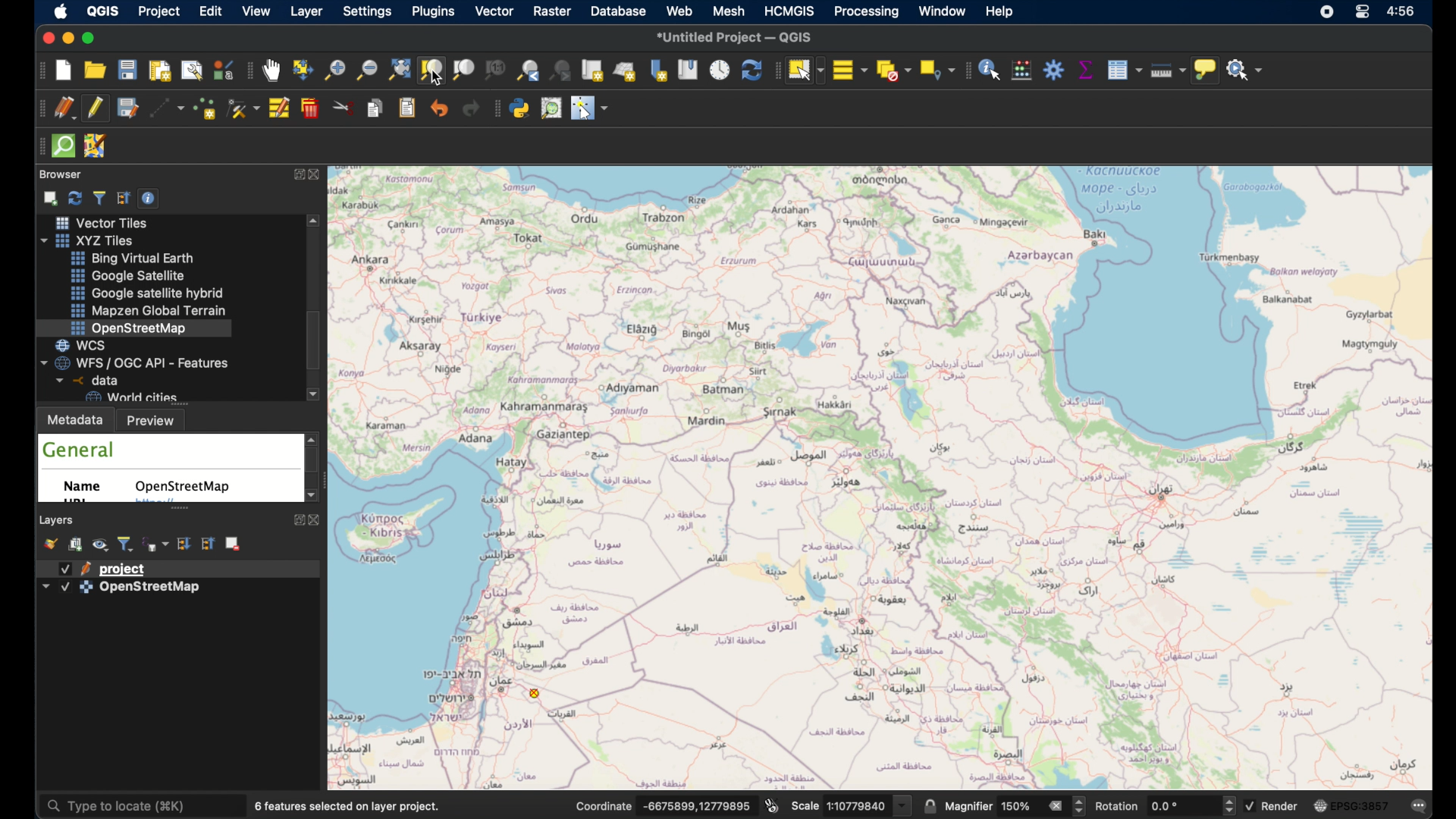 This screenshot has width=1456, height=819. What do you see at coordinates (334, 74) in the screenshot?
I see `zoom in` at bounding box center [334, 74].